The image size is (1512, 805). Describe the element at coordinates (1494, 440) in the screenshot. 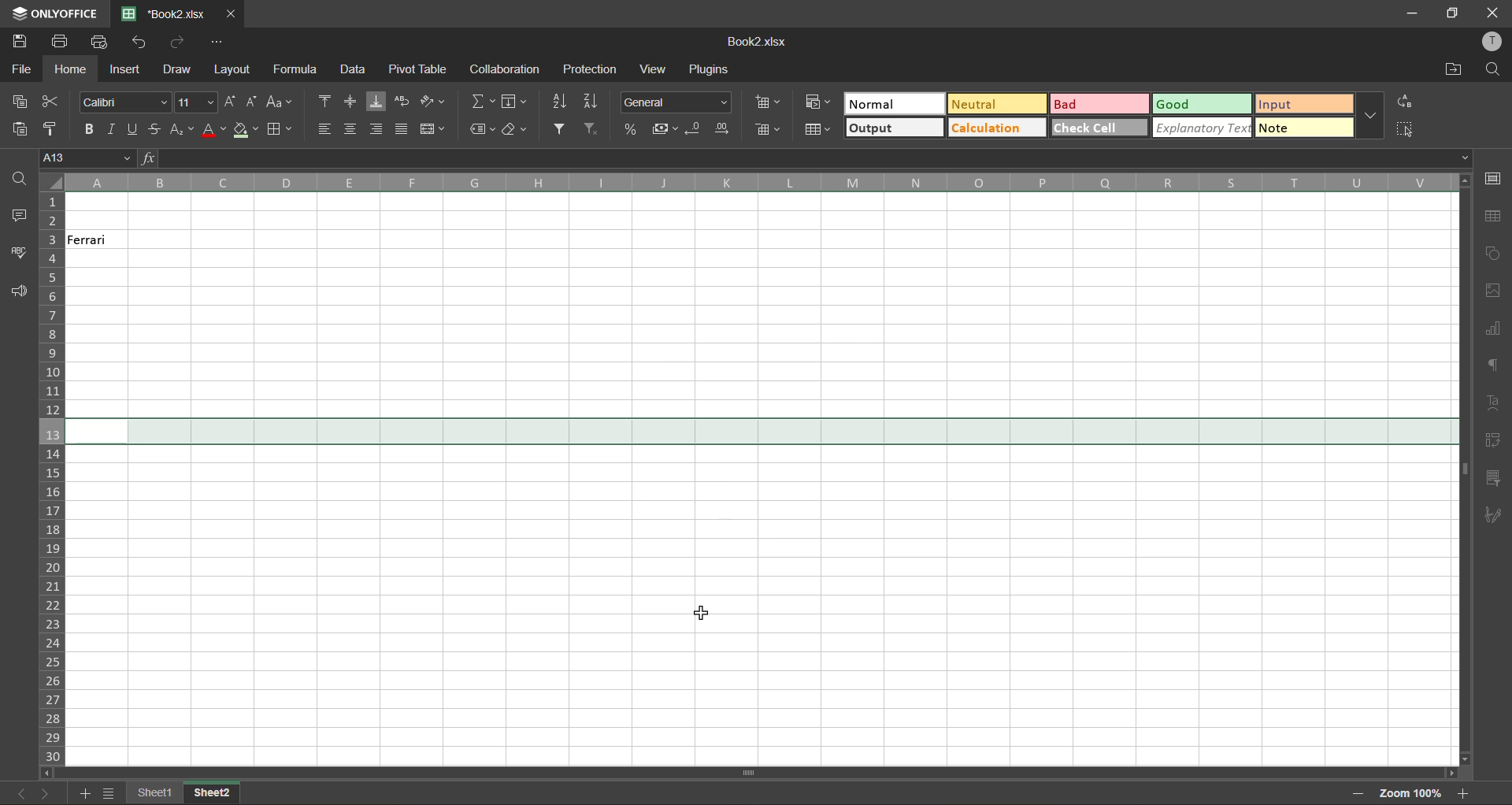

I see `pivot table` at that location.